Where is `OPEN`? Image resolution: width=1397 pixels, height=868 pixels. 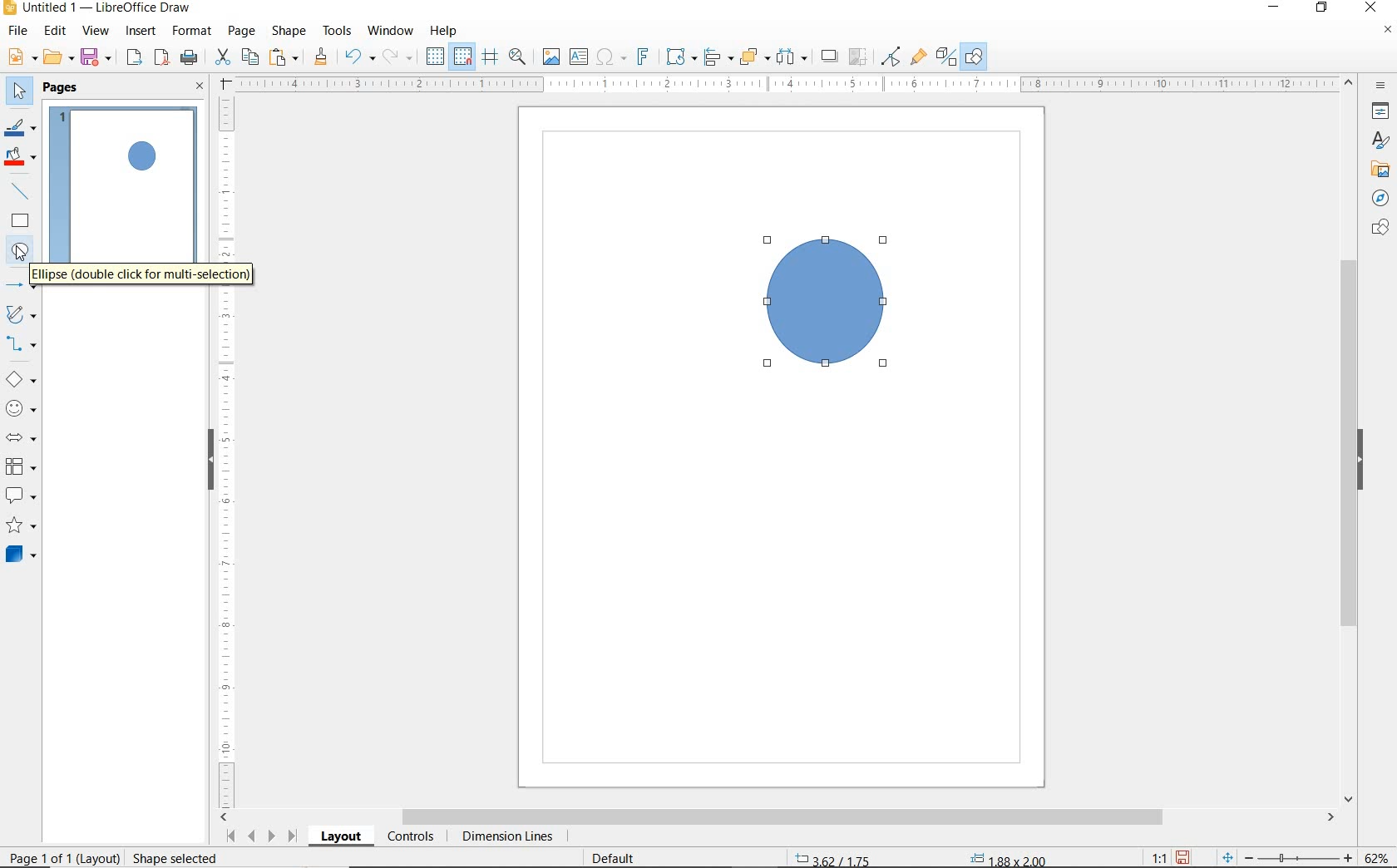
OPEN is located at coordinates (58, 59).